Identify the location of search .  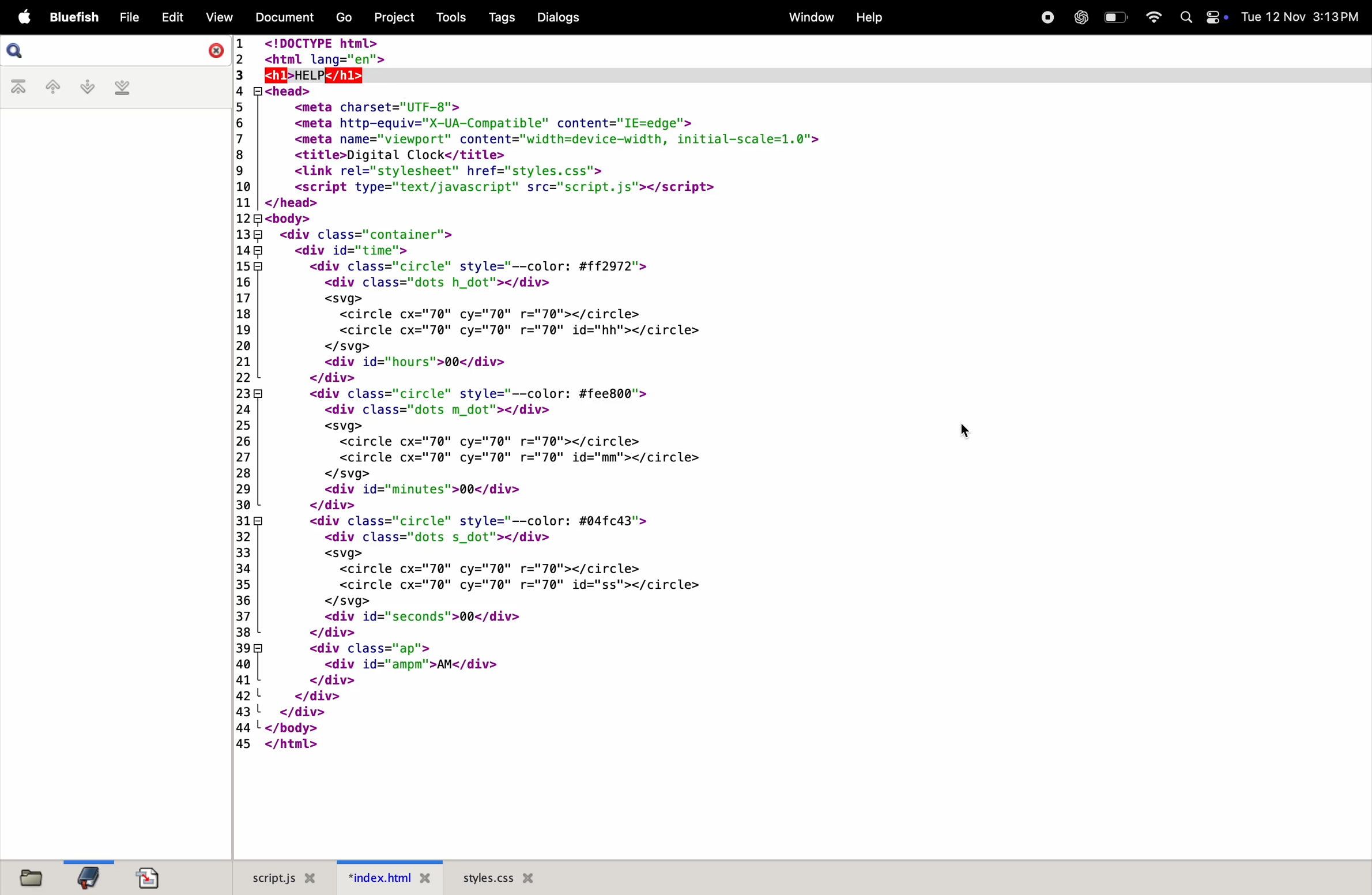
(116, 51).